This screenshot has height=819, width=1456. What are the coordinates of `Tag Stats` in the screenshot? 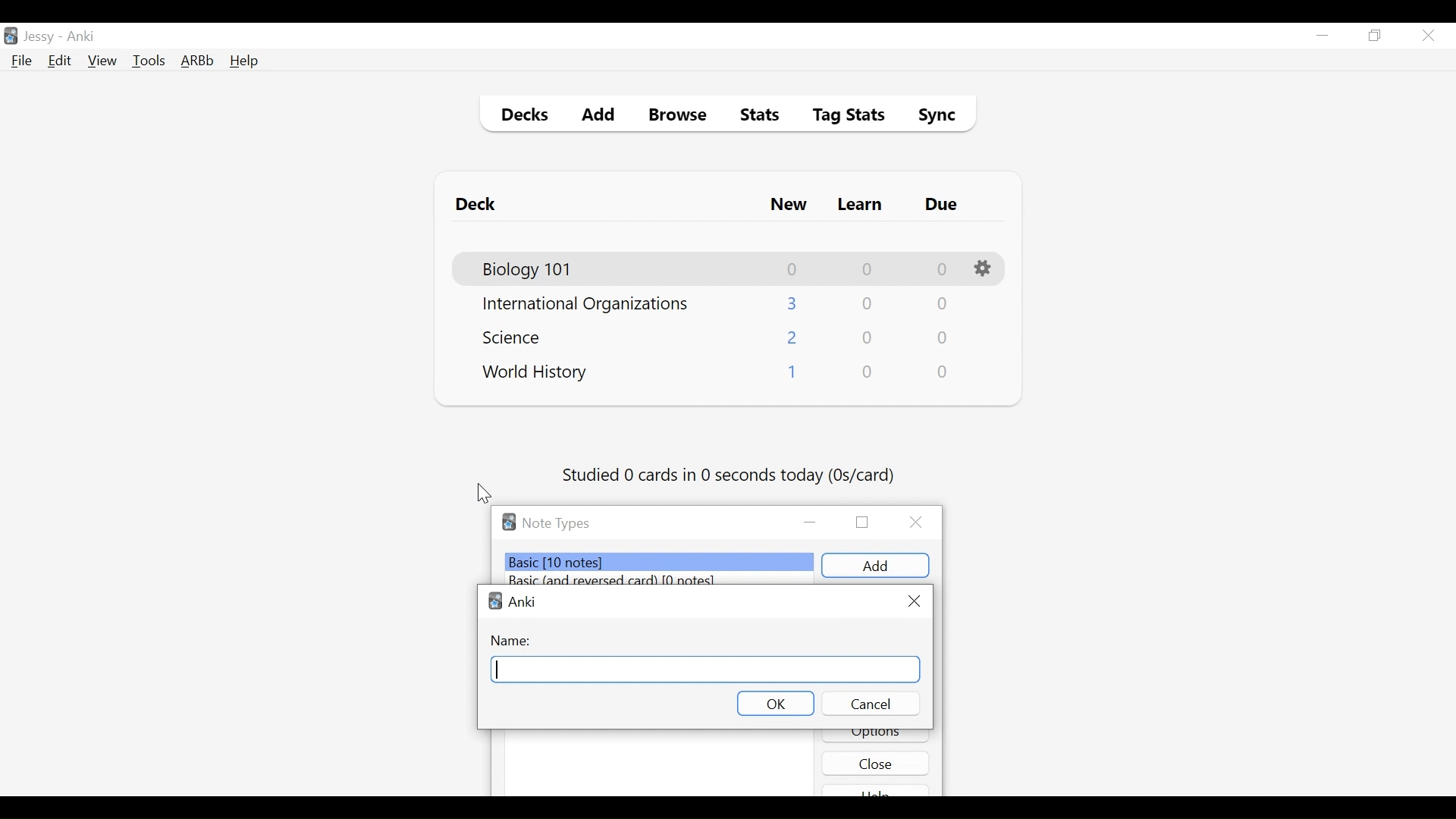 It's located at (840, 117).